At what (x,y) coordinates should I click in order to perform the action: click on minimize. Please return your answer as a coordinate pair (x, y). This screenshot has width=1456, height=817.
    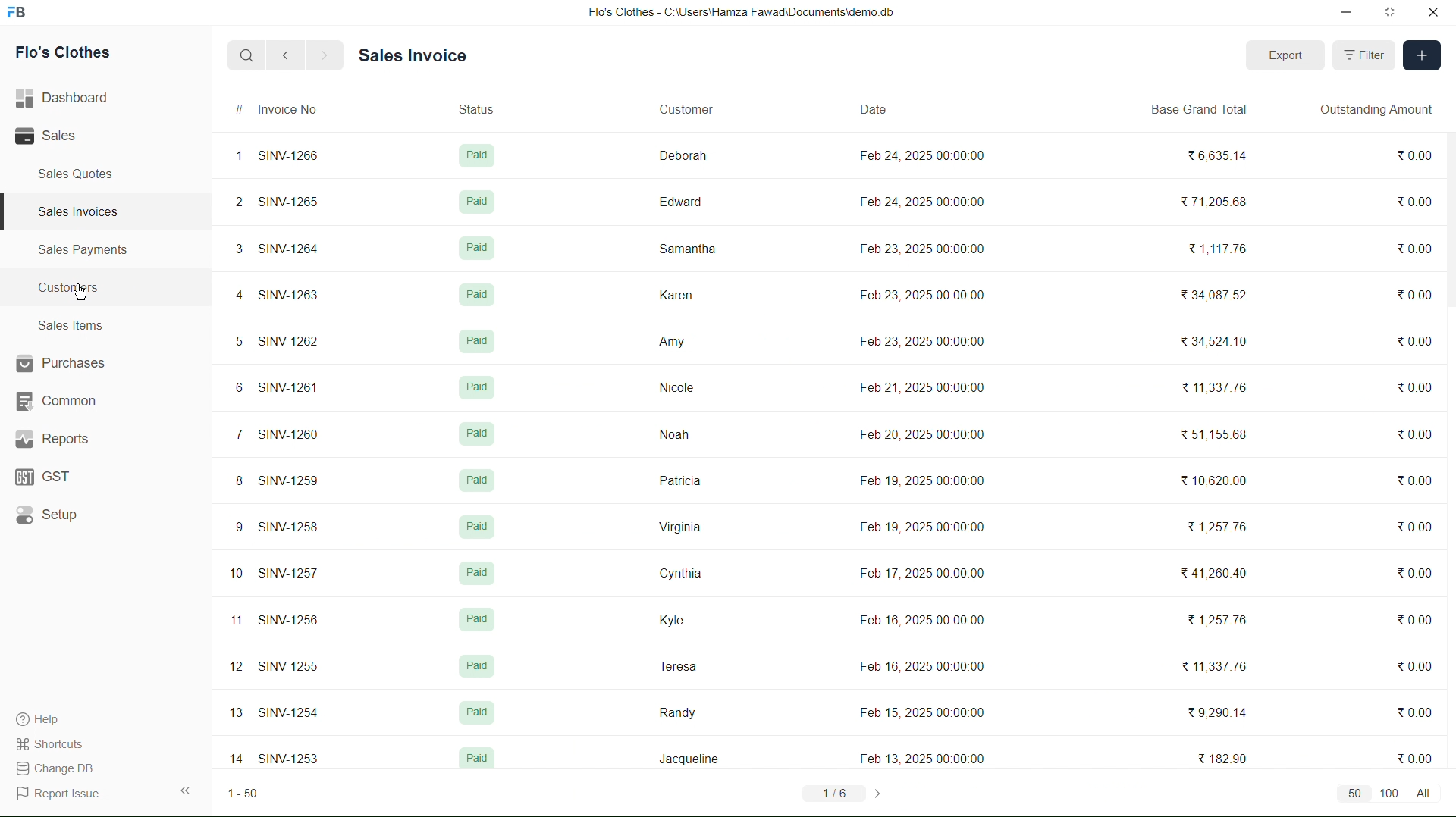
    Looking at the image, I should click on (1342, 14).